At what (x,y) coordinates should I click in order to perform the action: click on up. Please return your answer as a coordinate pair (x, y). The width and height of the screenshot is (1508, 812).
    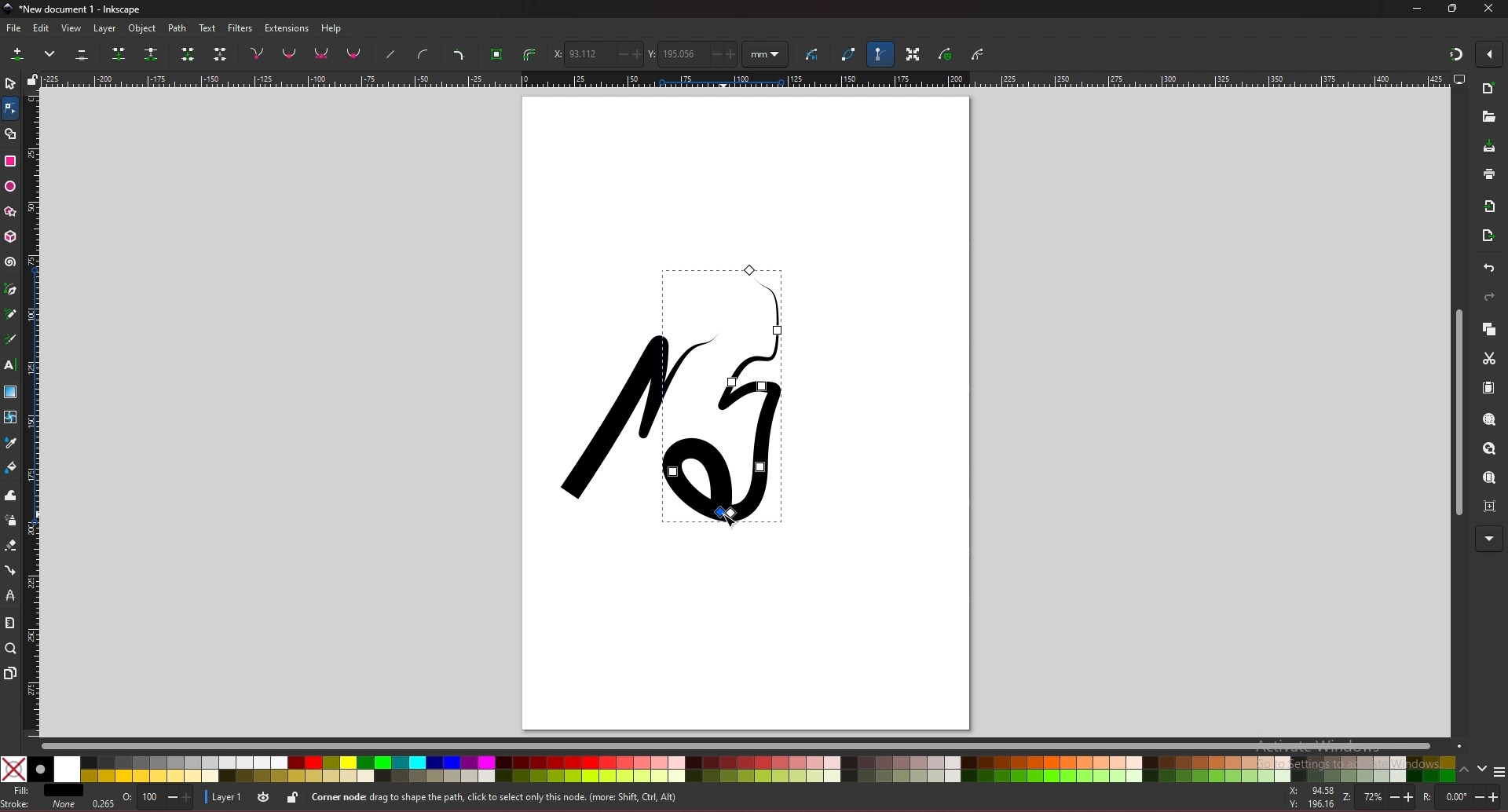
    Looking at the image, I should click on (1466, 768).